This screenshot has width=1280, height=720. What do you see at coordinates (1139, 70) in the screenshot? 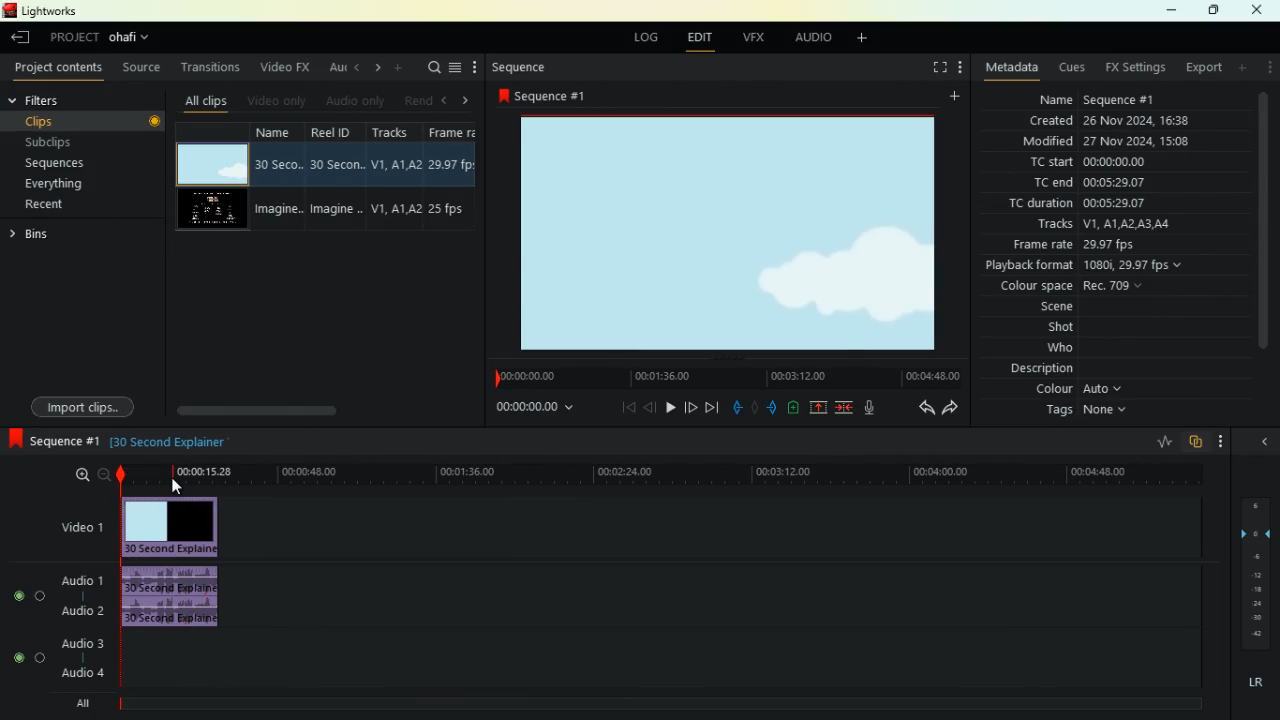
I see `fx setting` at bounding box center [1139, 70].